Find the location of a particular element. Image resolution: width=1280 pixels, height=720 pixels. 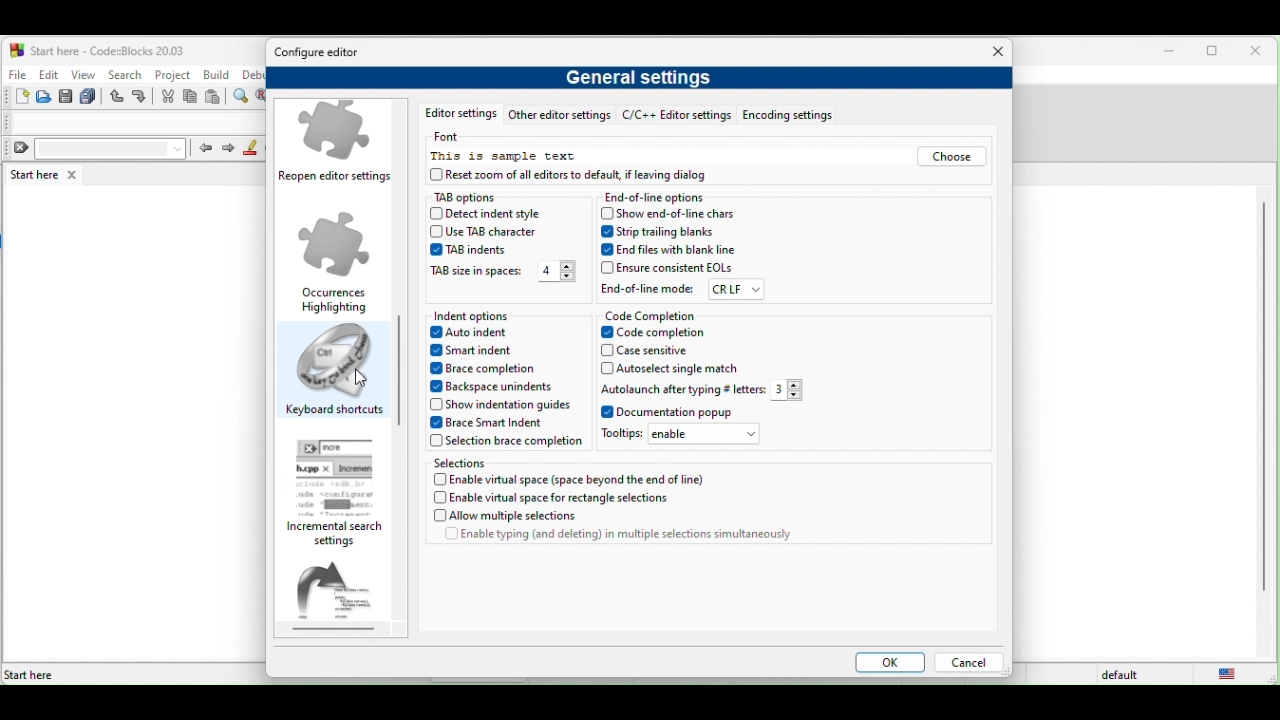

brace smart indent is located at coordinates (494, 423).